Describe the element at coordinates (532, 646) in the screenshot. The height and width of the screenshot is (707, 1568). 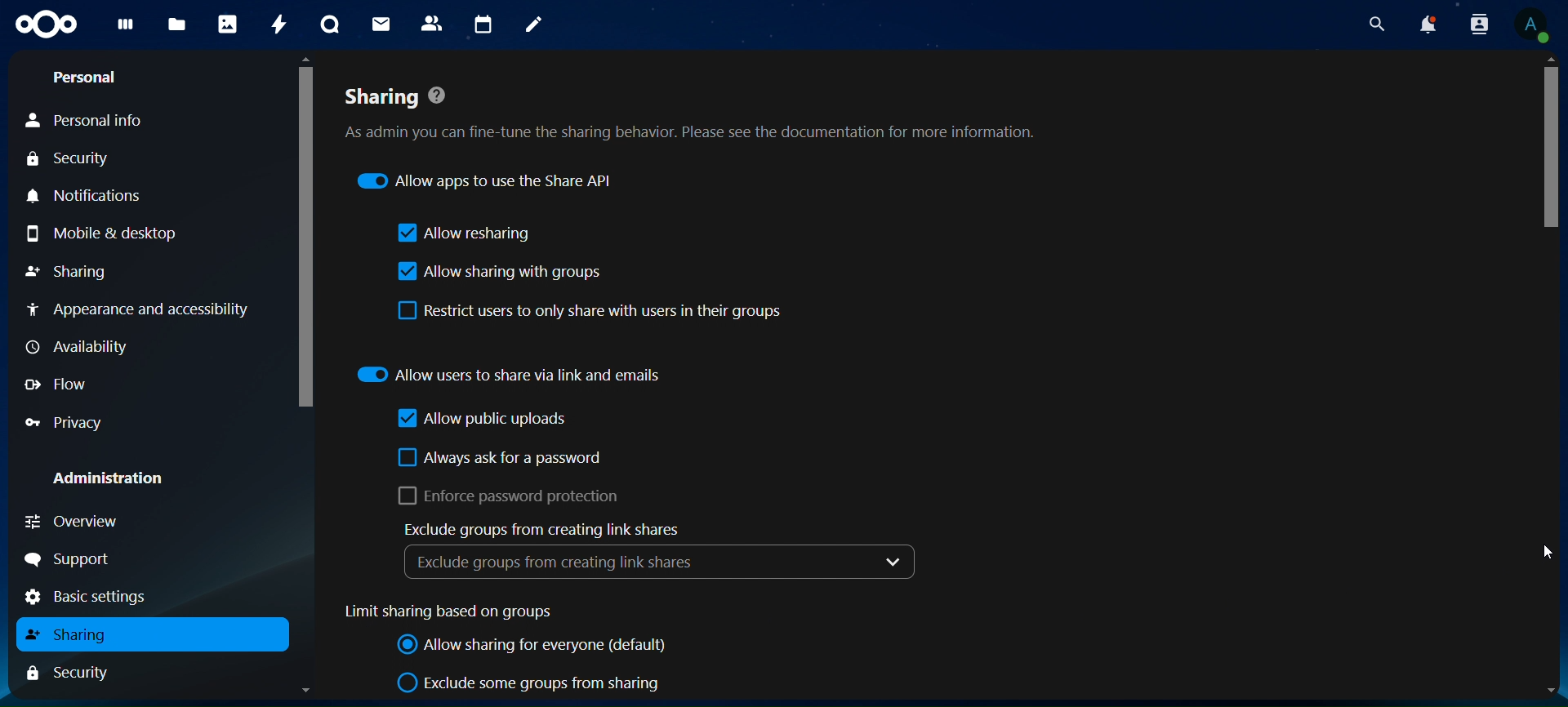
I see `allow sharing for everyone` at that location.